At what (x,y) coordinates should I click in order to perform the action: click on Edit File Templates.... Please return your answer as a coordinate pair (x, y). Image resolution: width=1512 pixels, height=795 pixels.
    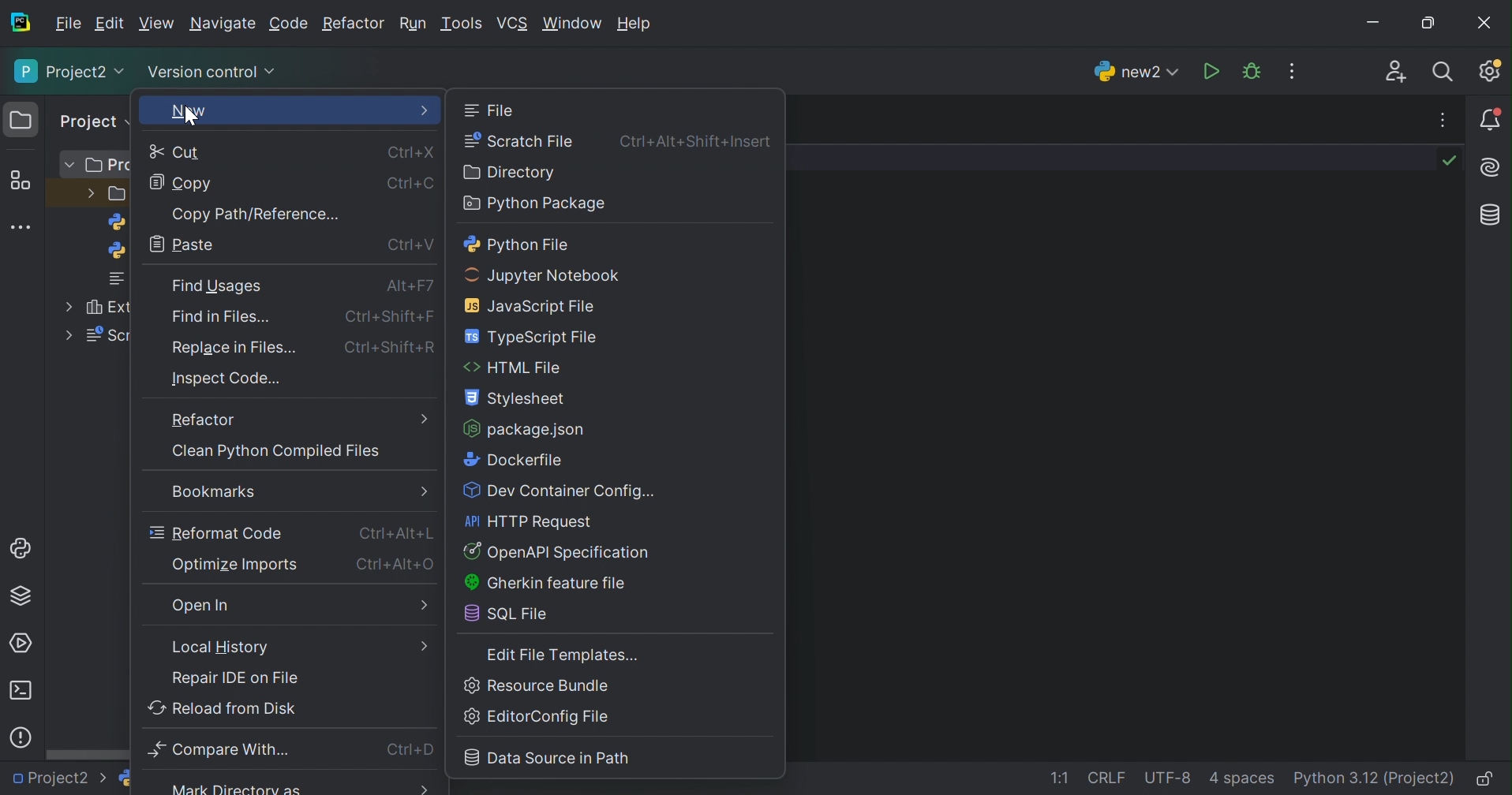
    Looking at the image, I should click on (564, 655).